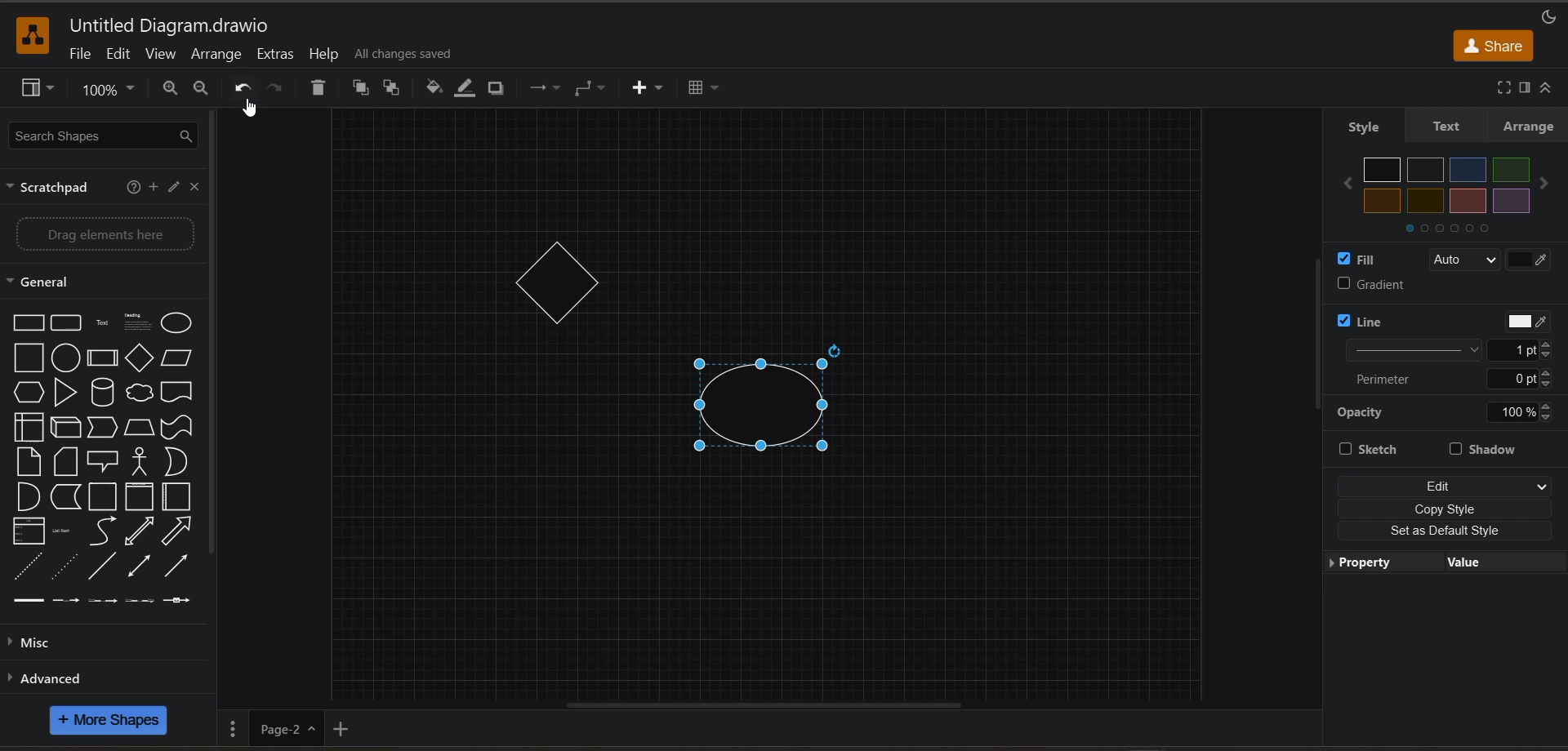  Describe the element at coordinates (1511, 171) in the screenshot. I see `Color 4` at that location.